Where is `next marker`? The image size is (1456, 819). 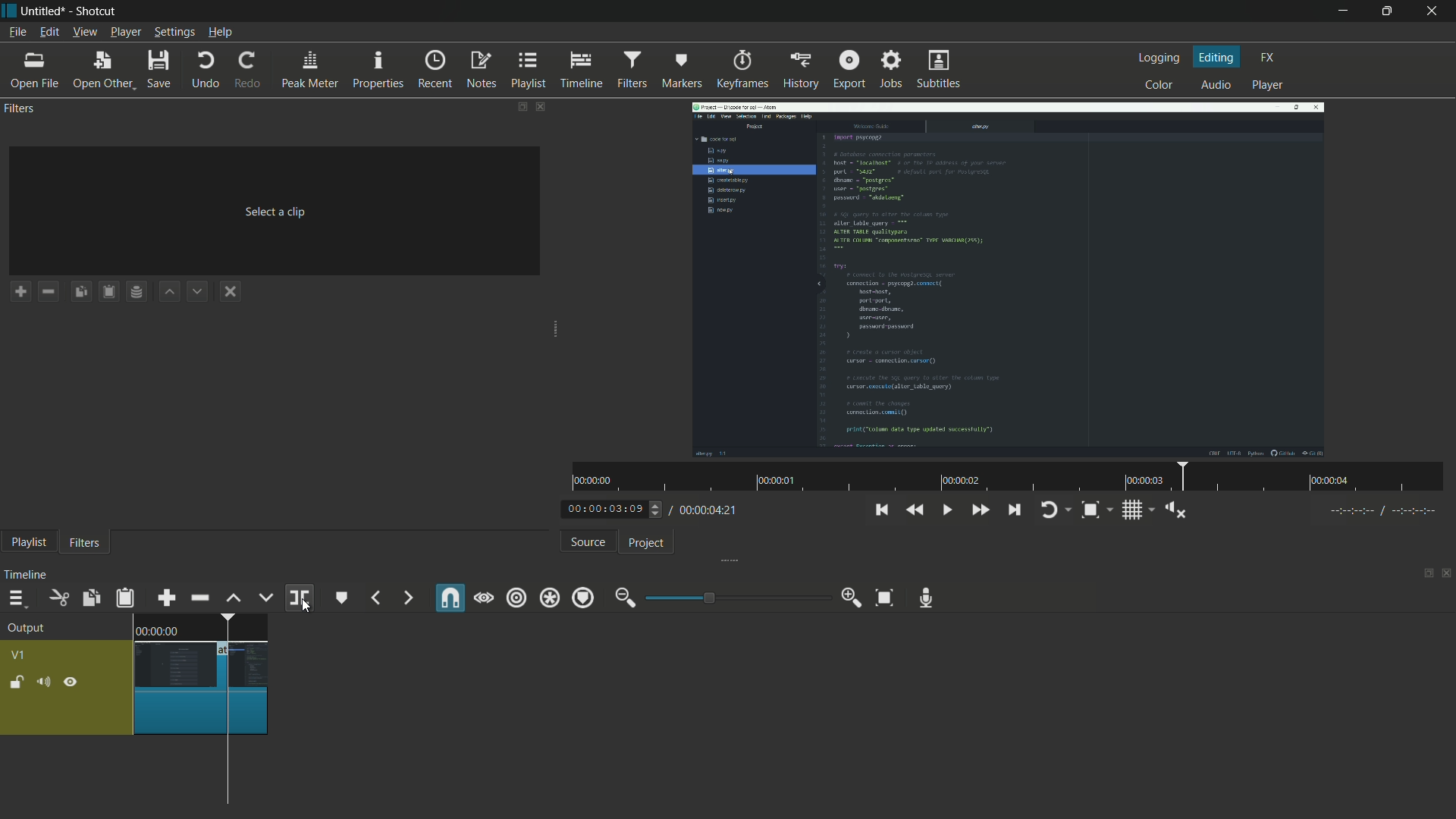
next marker is located at coordinates (406, 598).